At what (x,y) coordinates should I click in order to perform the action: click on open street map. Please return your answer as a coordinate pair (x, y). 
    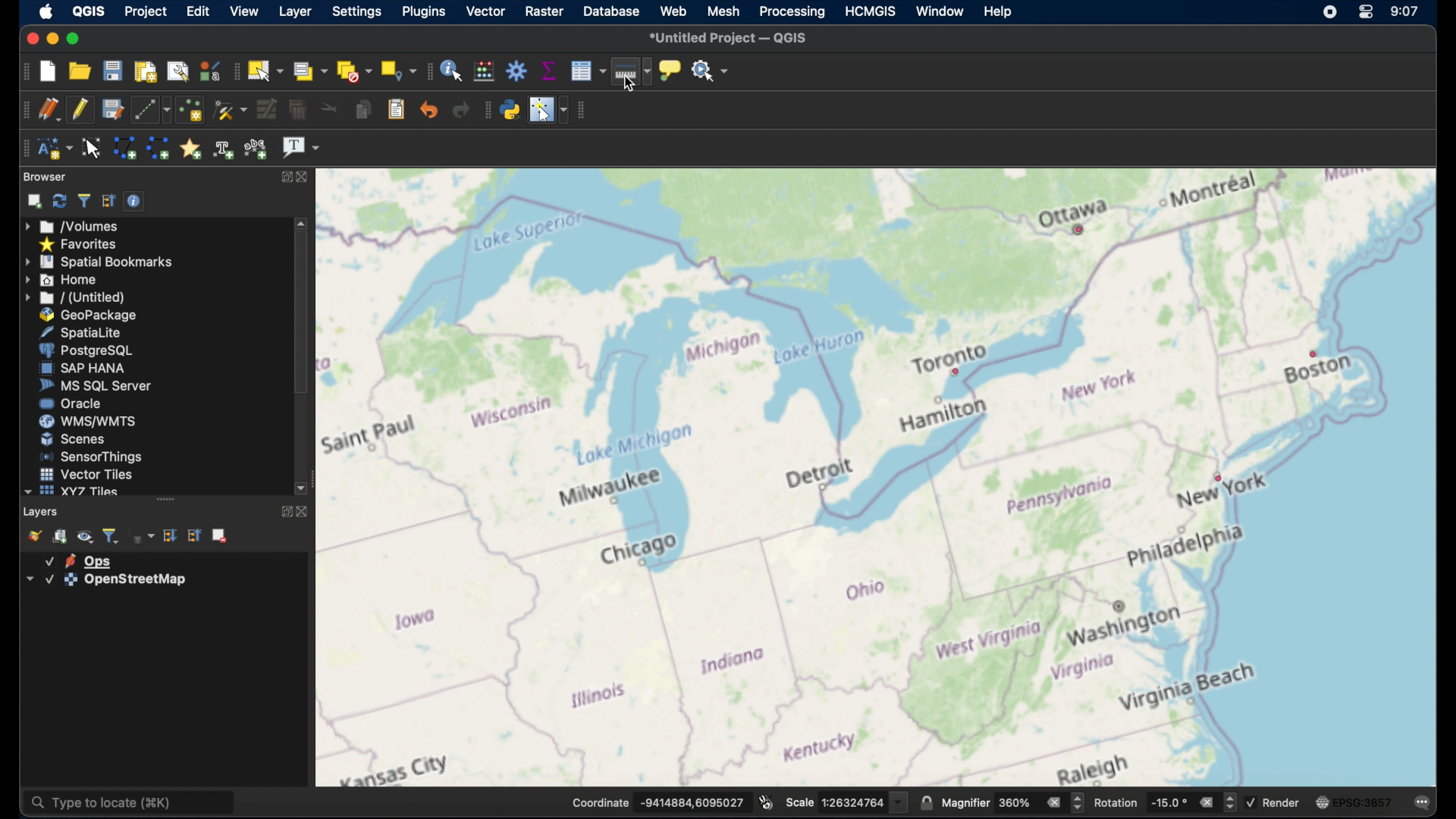
    Looking at the image, I should click on (1188, 651).